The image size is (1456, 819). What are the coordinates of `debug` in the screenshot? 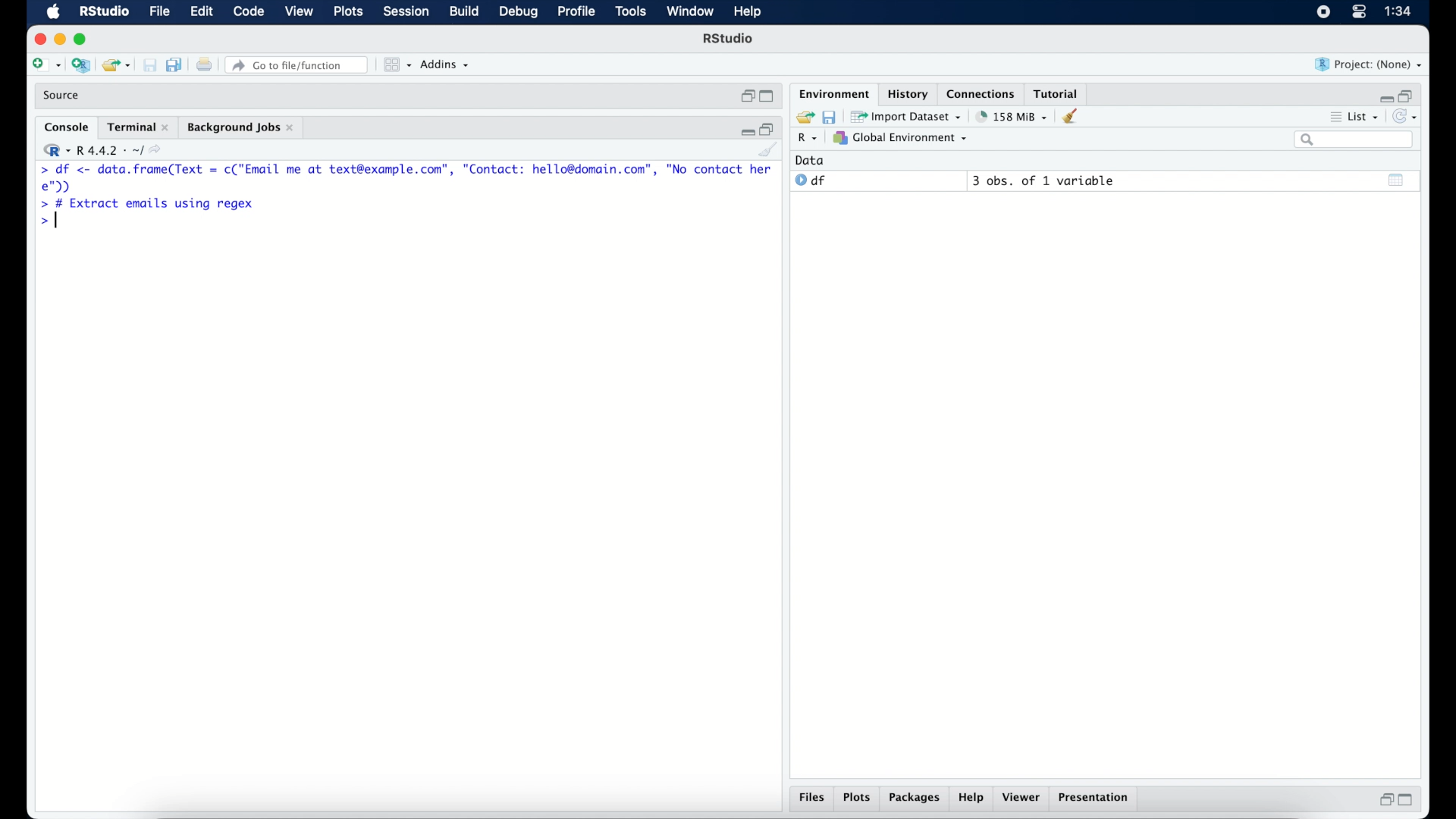 It's located at (519, 13).